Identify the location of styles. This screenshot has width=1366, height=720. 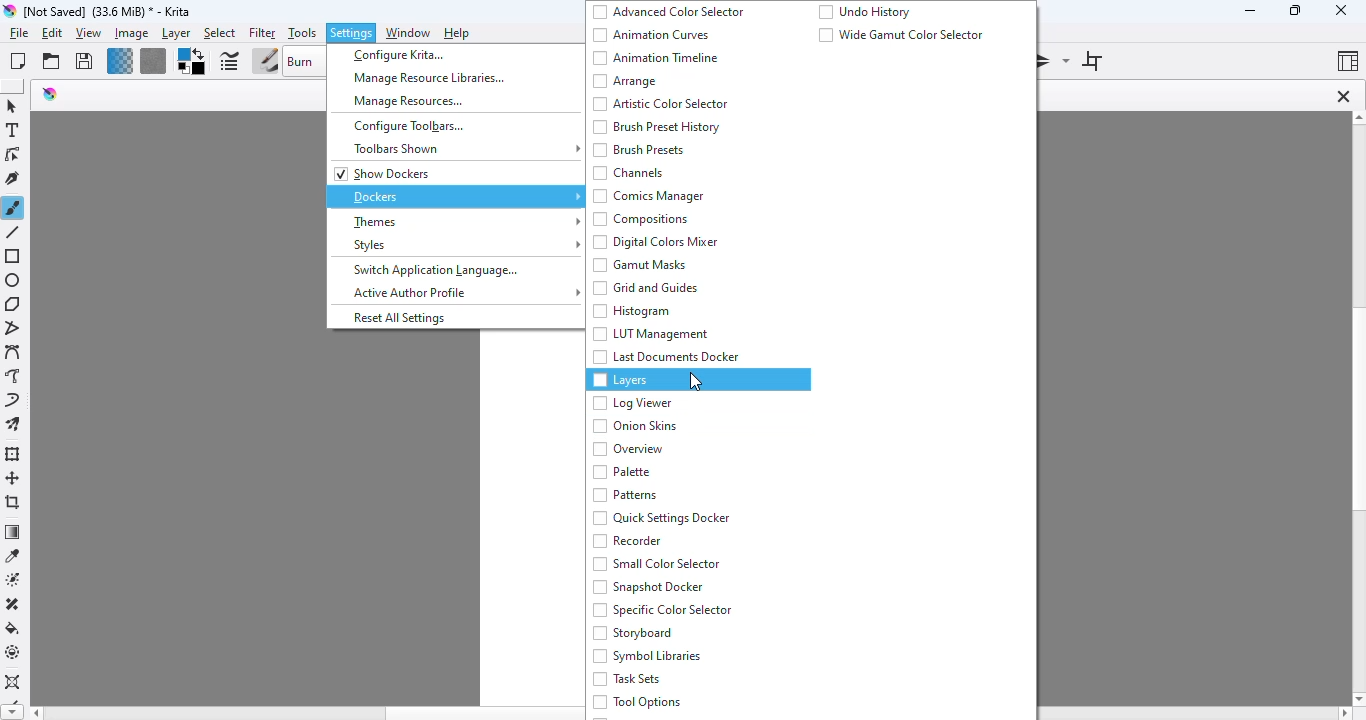
(463, 244).